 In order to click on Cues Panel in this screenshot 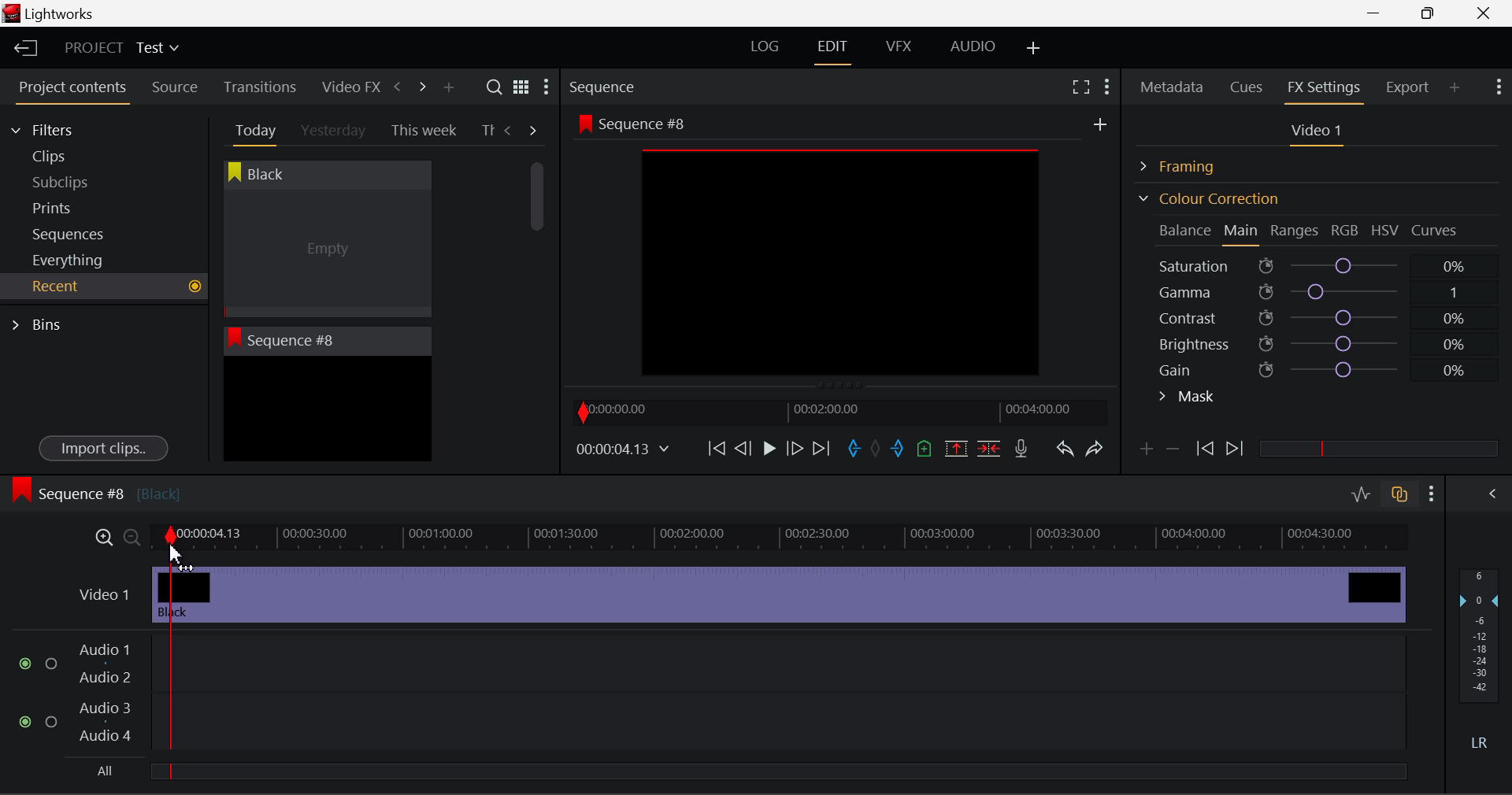, I will do `click(1248, 85)`.